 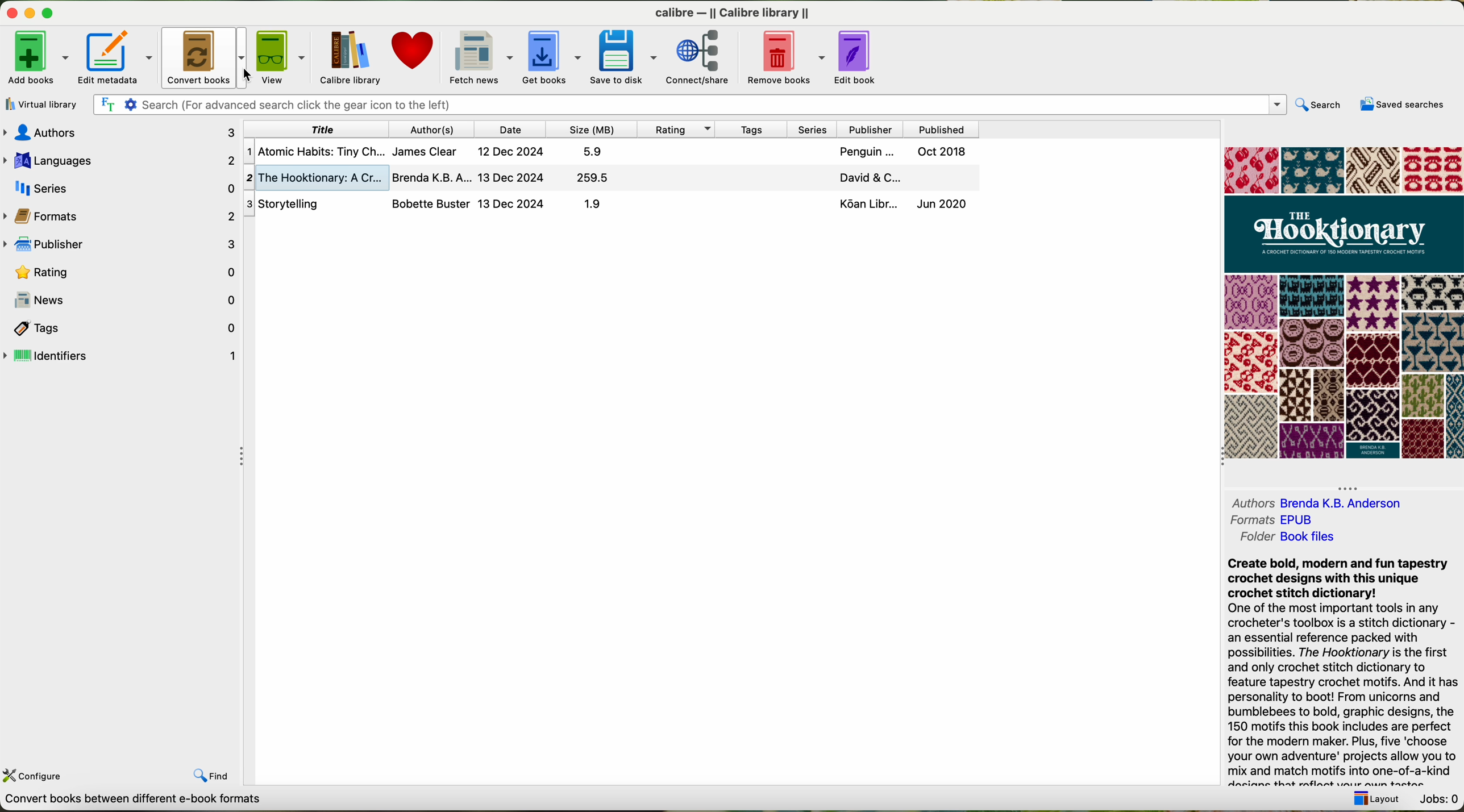 I want to click on author(s), so click(x=435, y=131).